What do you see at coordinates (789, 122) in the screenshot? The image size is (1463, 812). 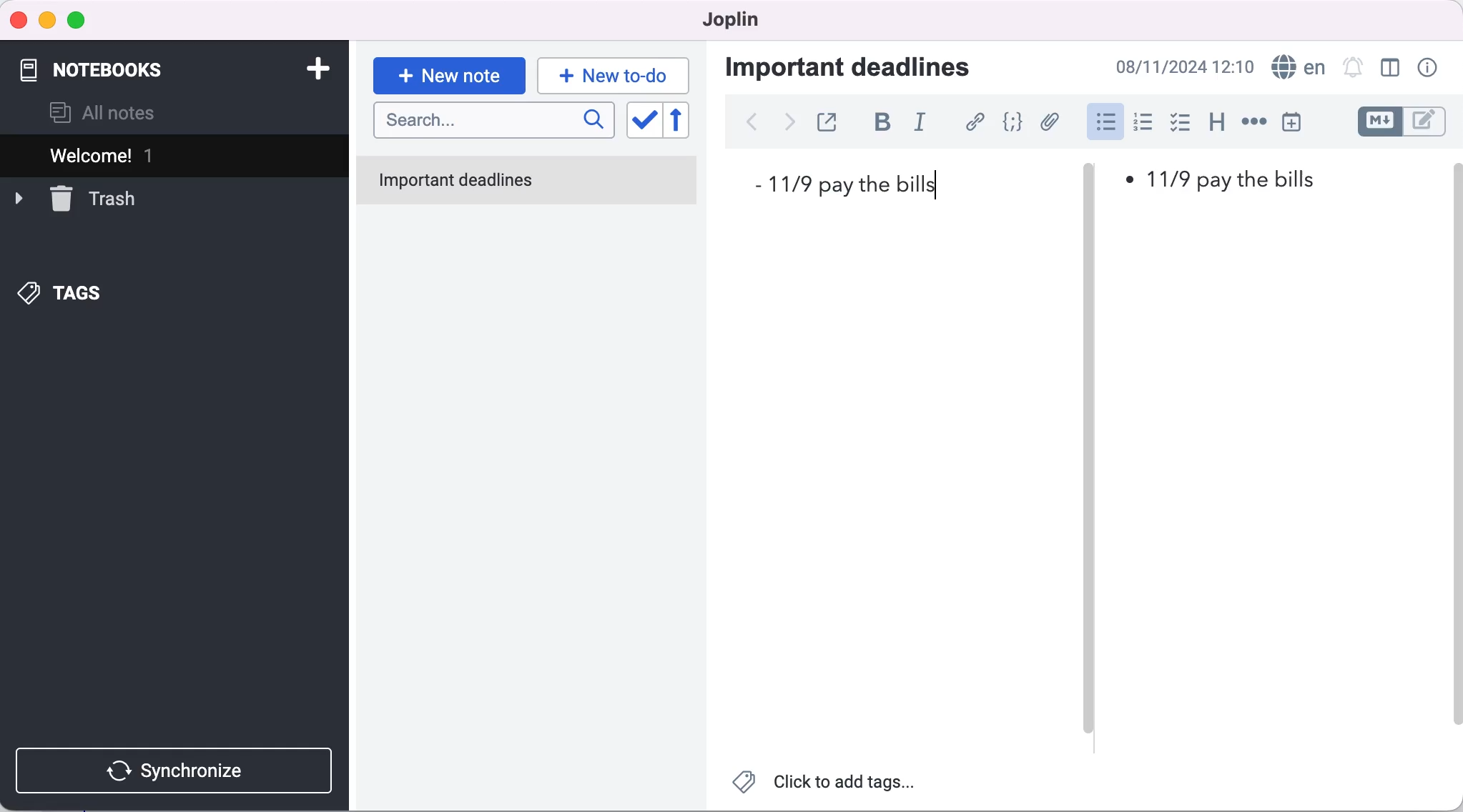 I see `forward` at bounding box center [789, 122].